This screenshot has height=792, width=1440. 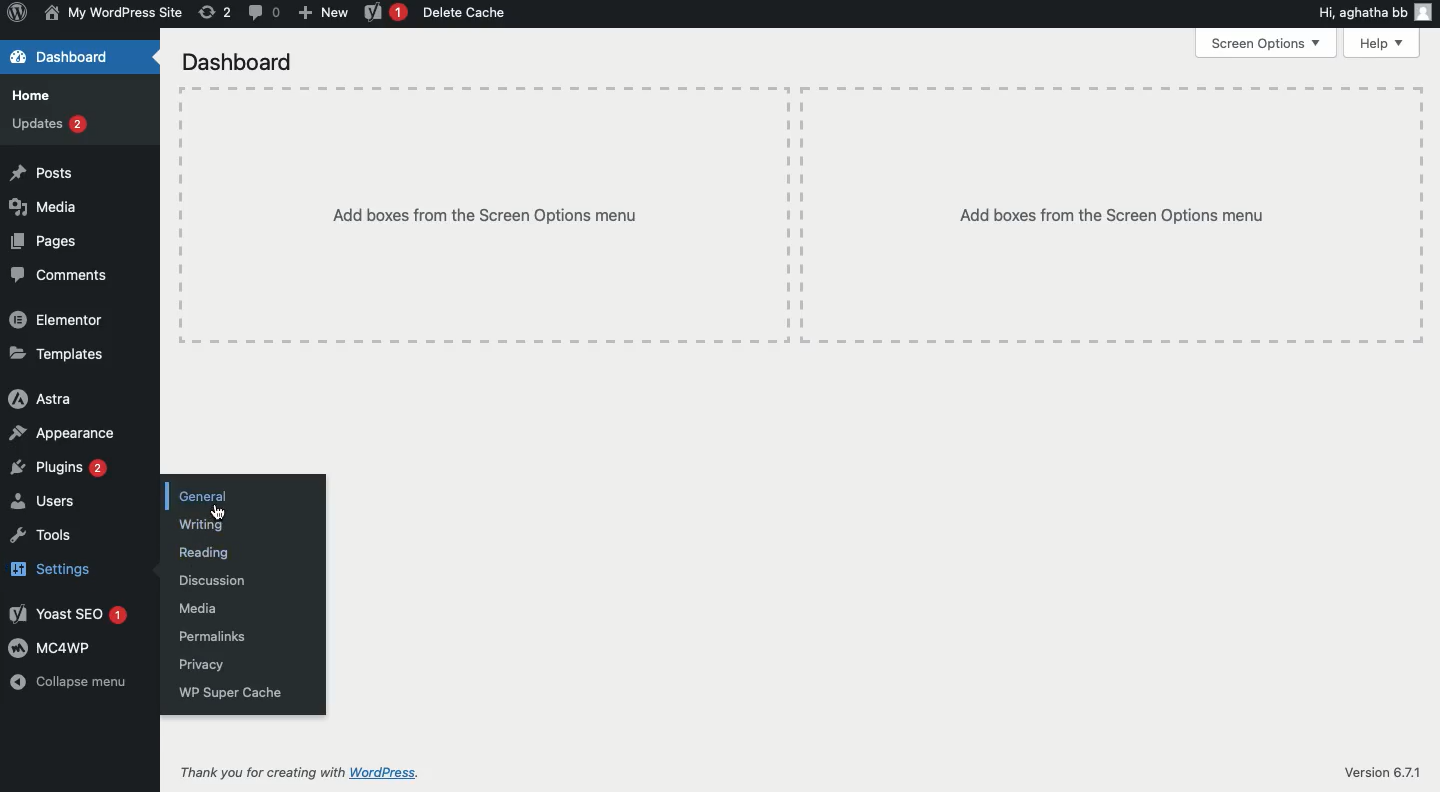 What do you see at coordinates (1385, 44) in the screenshot?
I see `Help` at bounding box center [1385, 44].